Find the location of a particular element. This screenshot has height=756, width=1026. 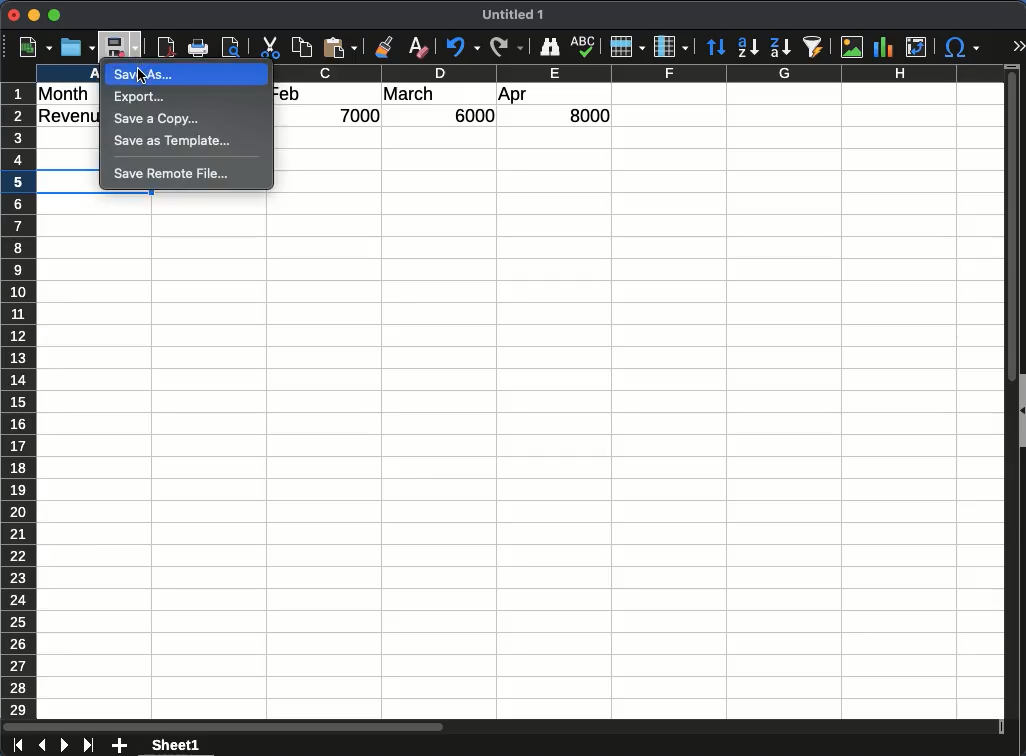

open is located at coordinates (76, 48).